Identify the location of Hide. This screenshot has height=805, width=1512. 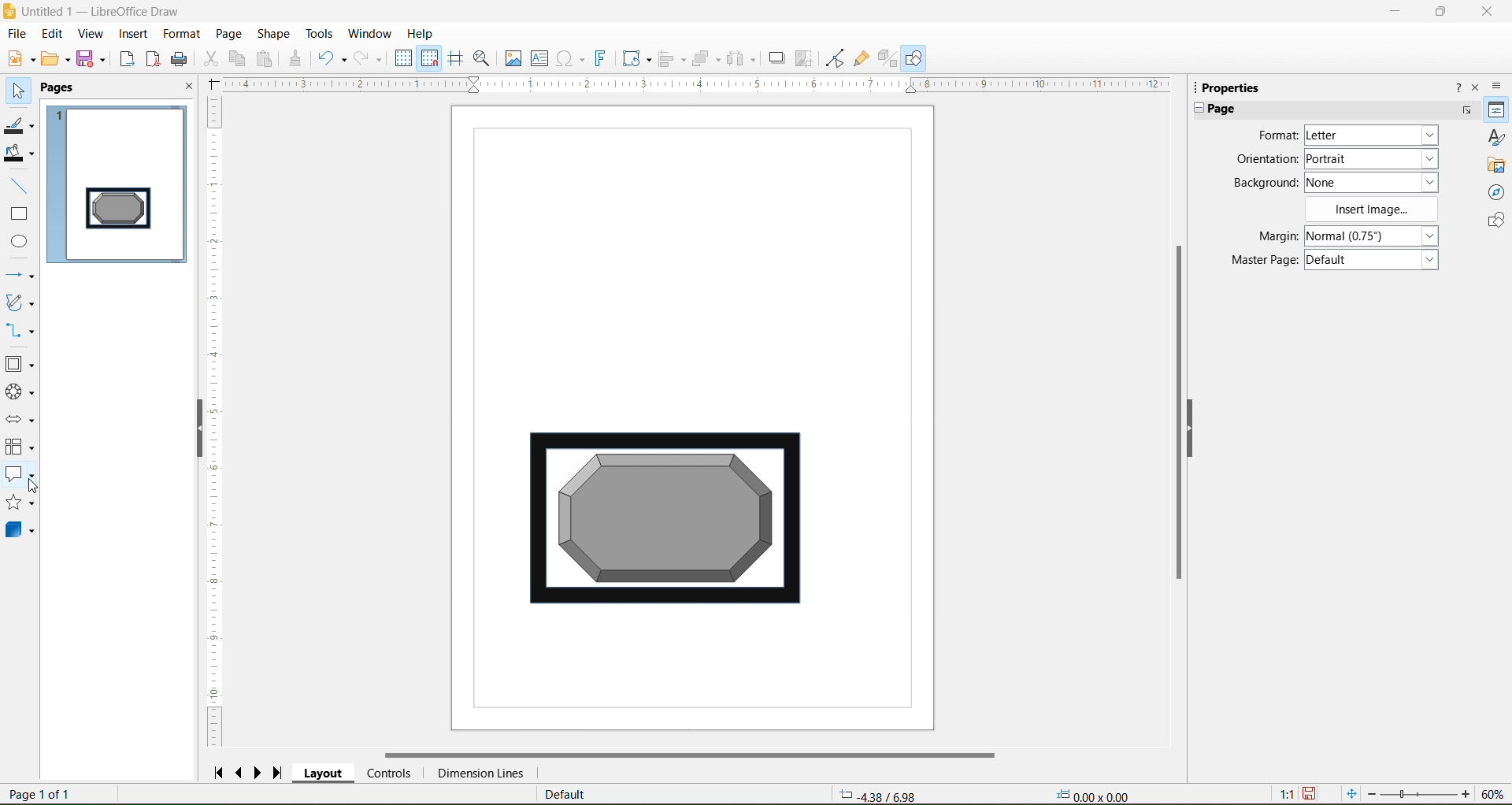
(194, 432).